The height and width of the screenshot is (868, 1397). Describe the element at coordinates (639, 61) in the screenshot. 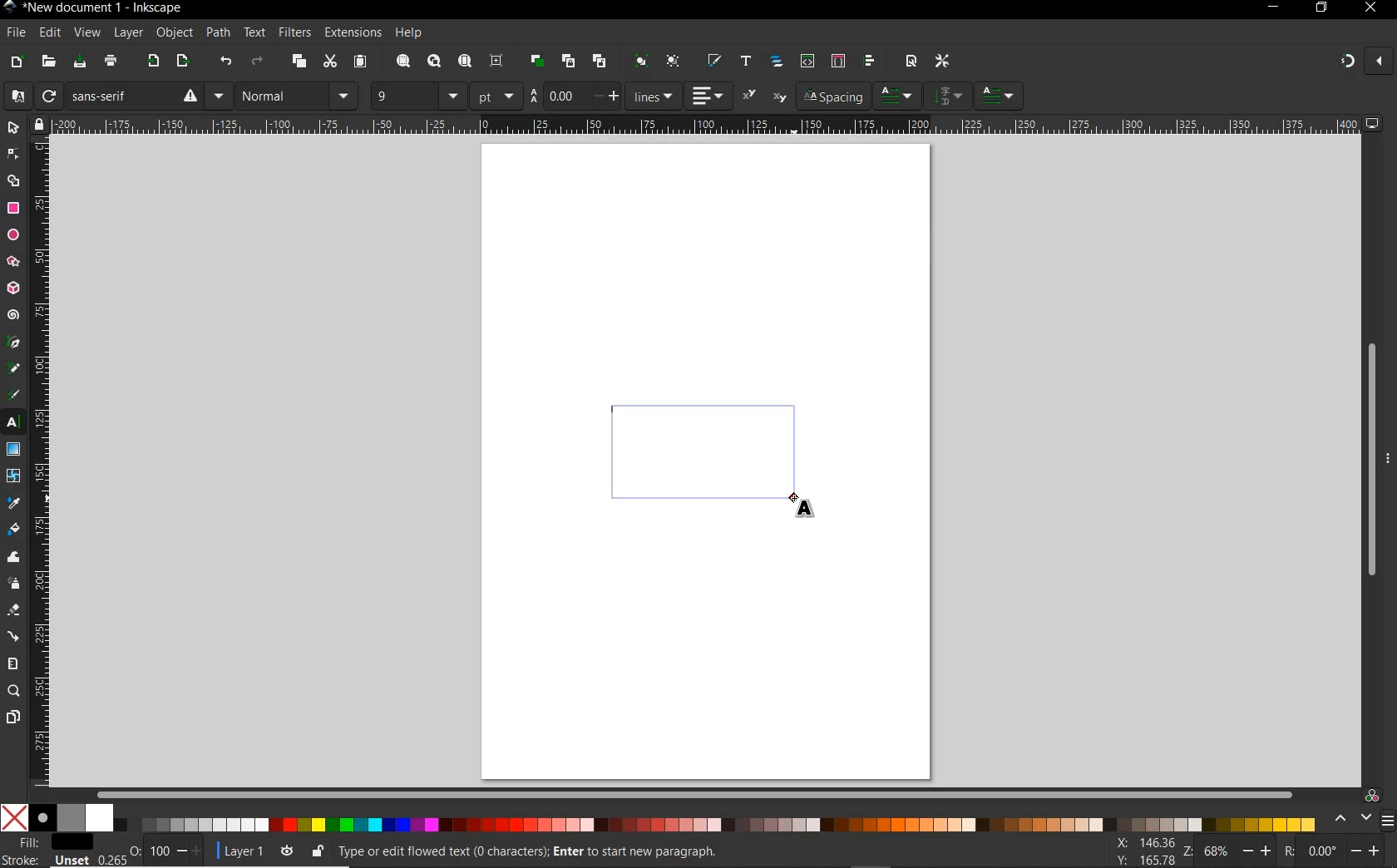

I see `group` at that location.